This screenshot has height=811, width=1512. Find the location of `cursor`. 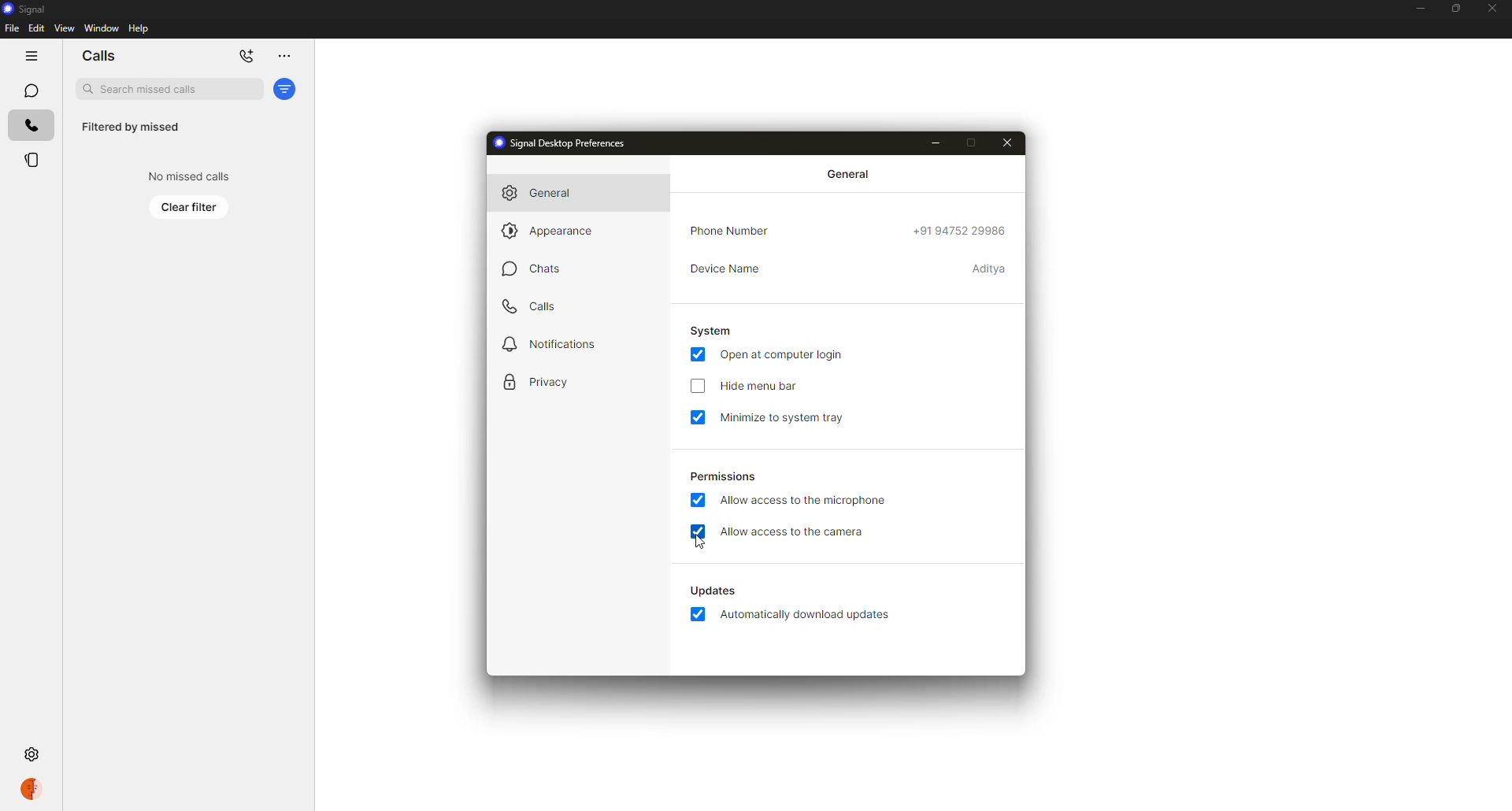

cursor is located at coordinates (701, 543).